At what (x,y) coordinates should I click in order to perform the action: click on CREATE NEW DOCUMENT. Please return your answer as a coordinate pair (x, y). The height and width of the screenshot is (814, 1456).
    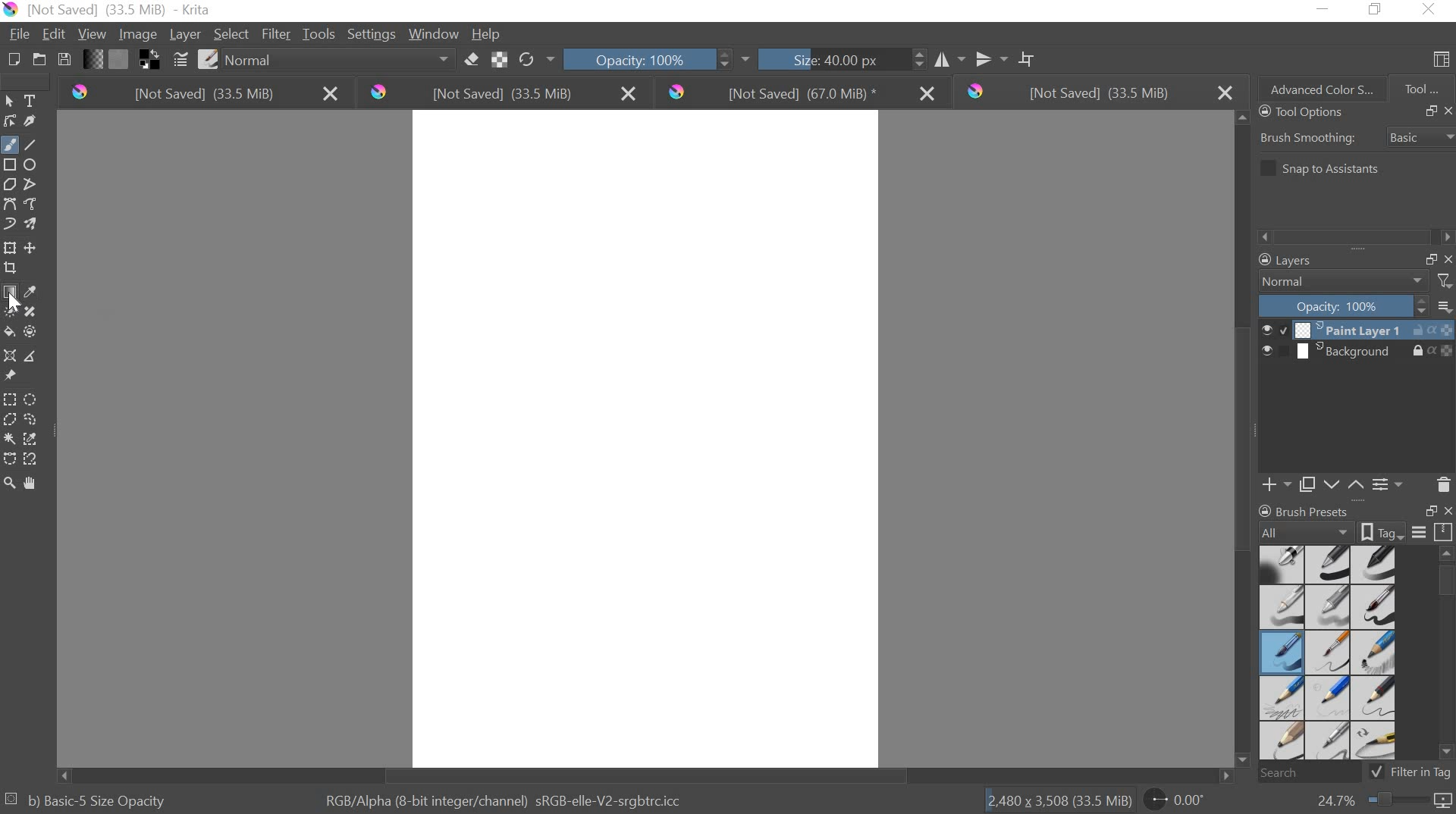
    Looking at the image, I should click on (10, 60).